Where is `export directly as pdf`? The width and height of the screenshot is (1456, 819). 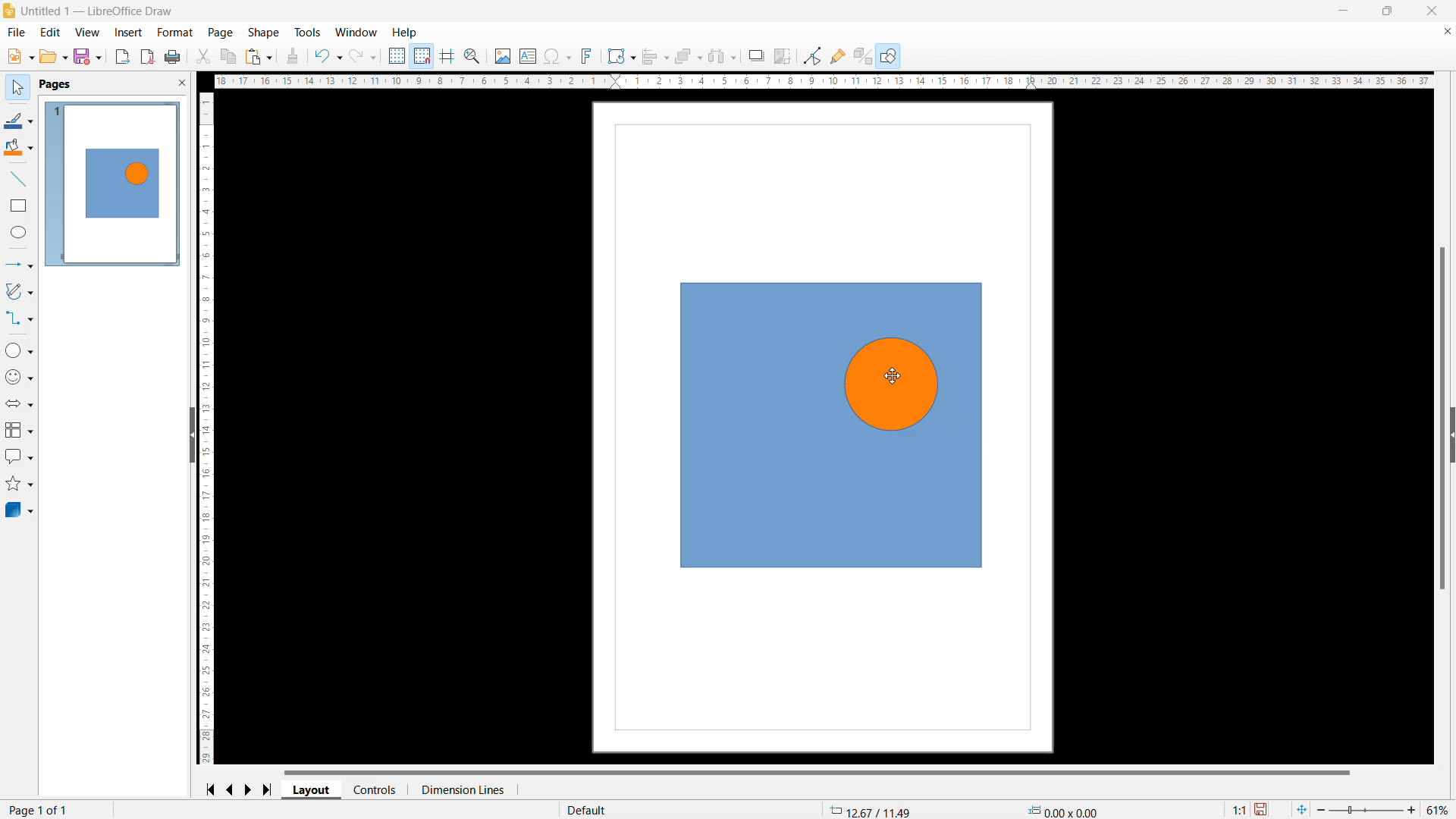
export directly as pdf is located at coordinates (146, 56).